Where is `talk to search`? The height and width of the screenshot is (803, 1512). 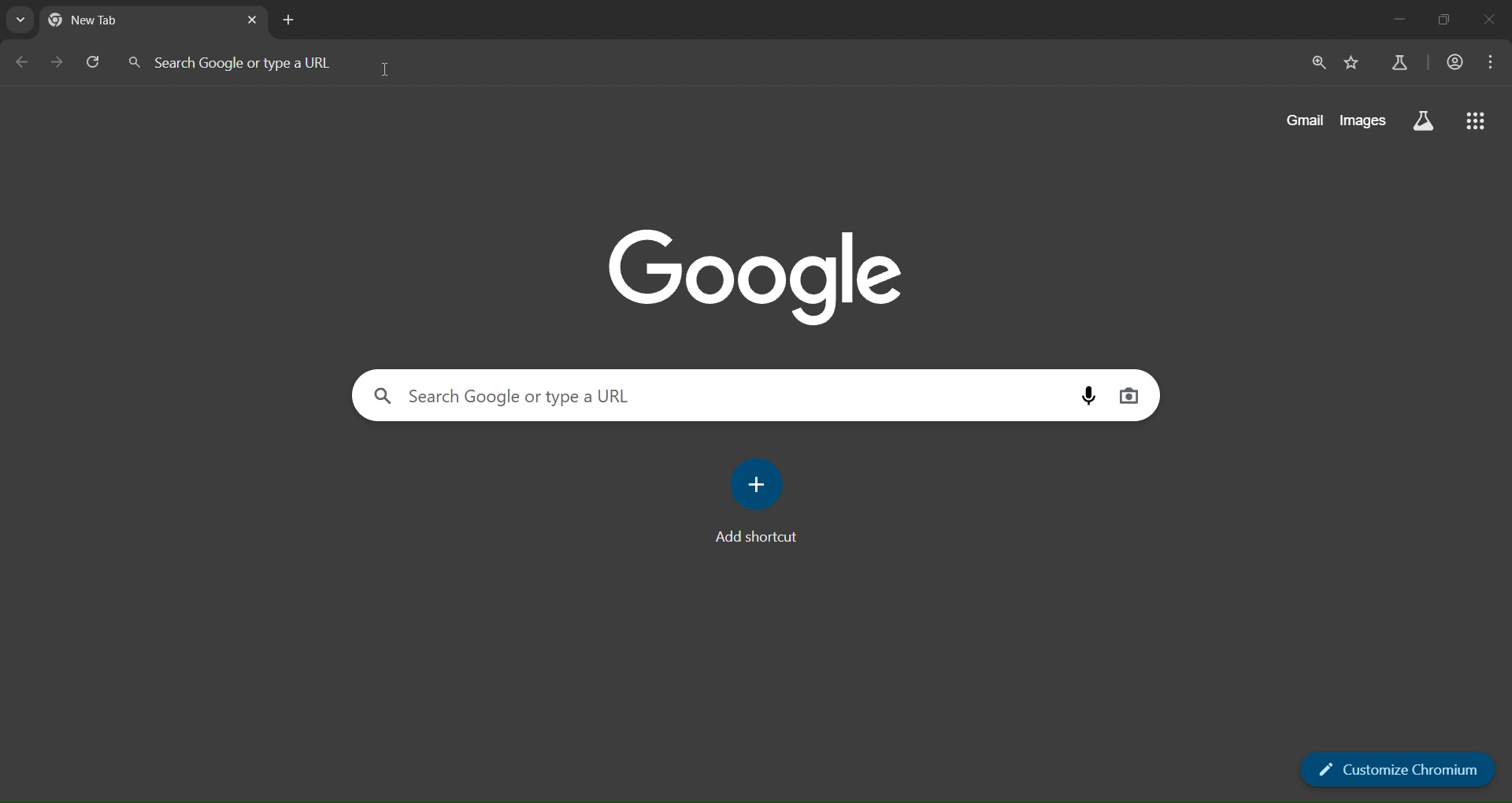 talk to search is located at coordinates (1091, 394).